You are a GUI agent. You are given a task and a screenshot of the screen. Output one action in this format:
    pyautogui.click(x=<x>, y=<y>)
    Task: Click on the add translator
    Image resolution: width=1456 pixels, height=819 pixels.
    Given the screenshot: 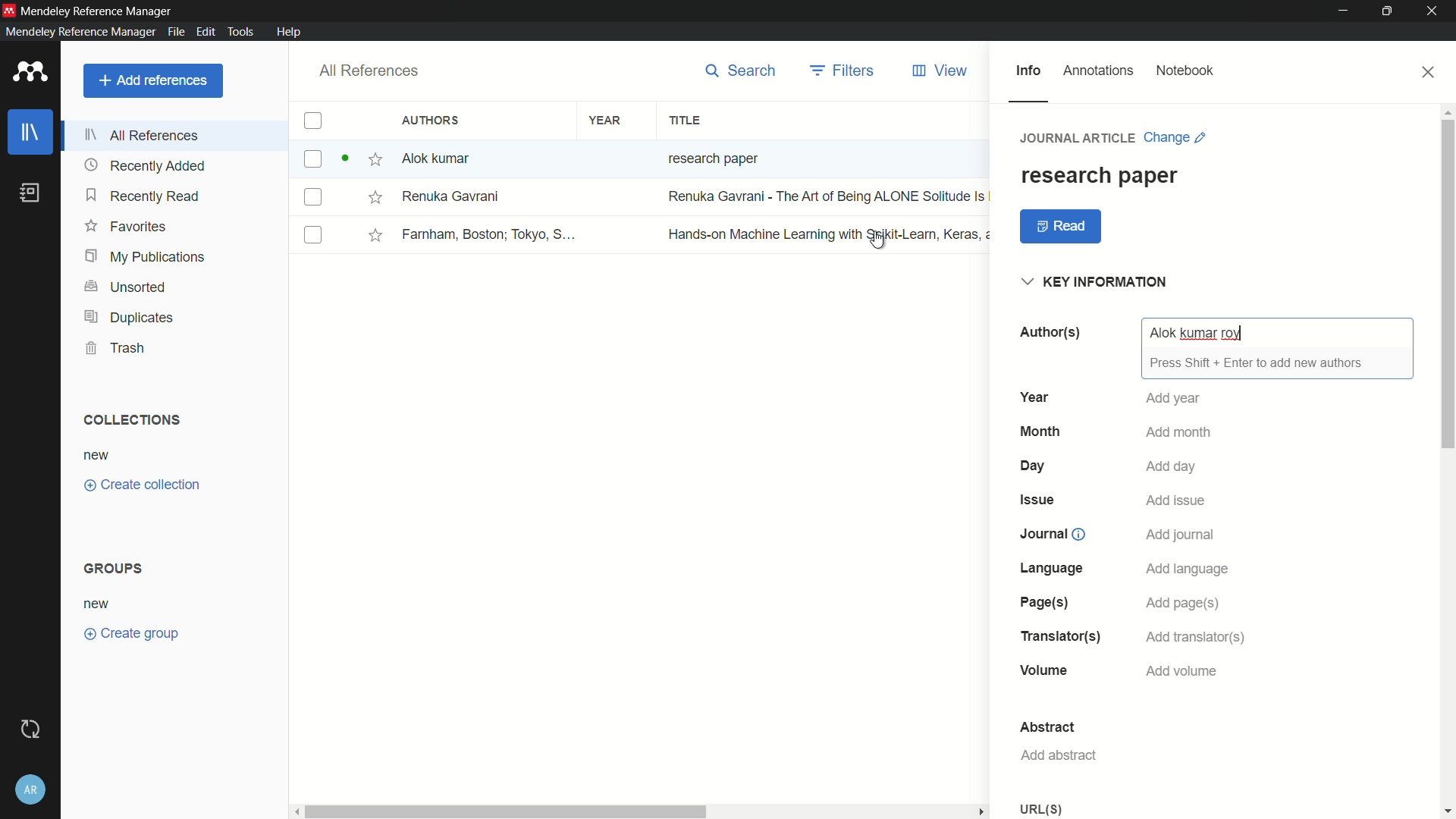 What is the action you would take?
    pyautogui.click(x=1199, y=636)
    